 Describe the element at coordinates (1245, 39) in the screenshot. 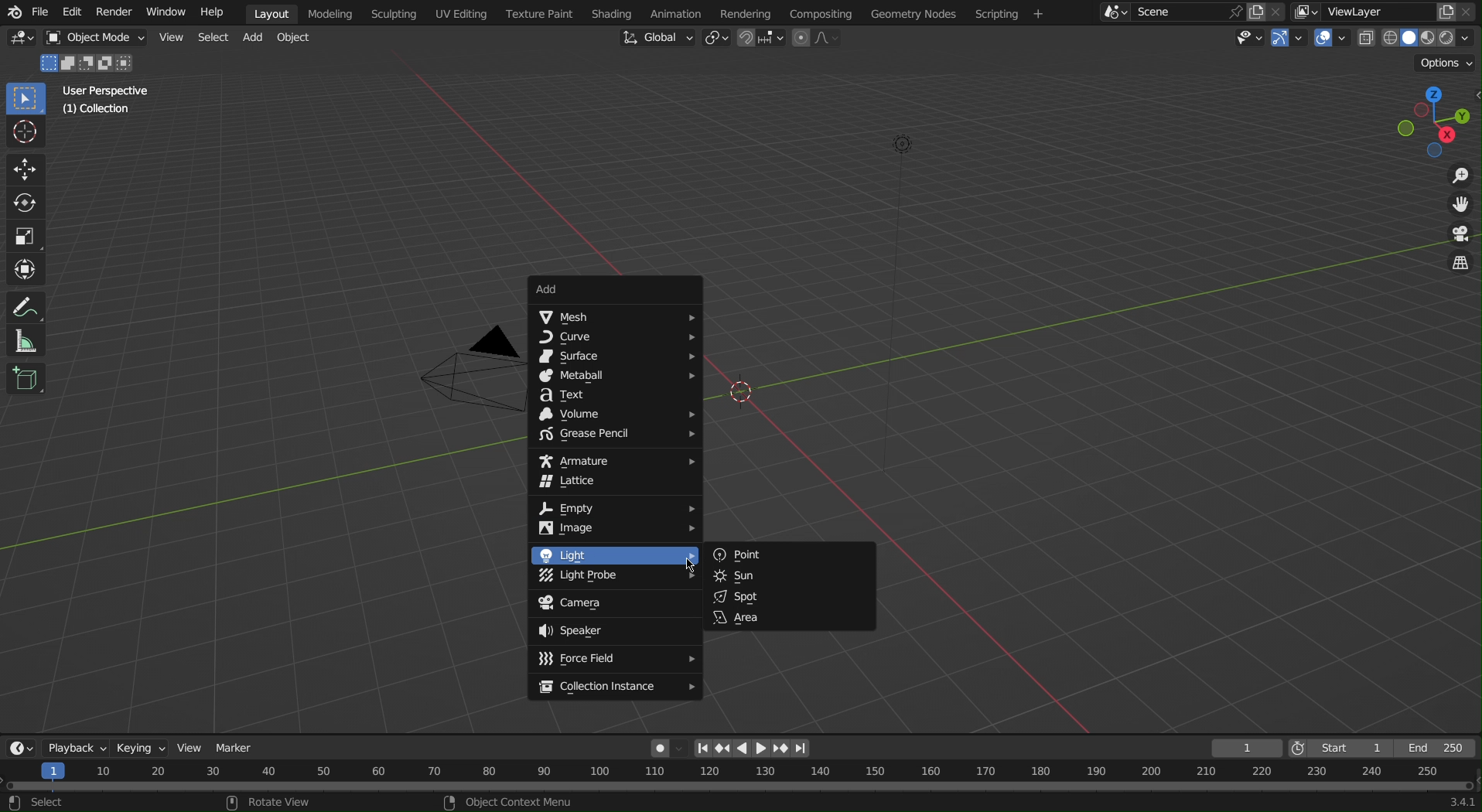

I see `Show Object Types` at that location.